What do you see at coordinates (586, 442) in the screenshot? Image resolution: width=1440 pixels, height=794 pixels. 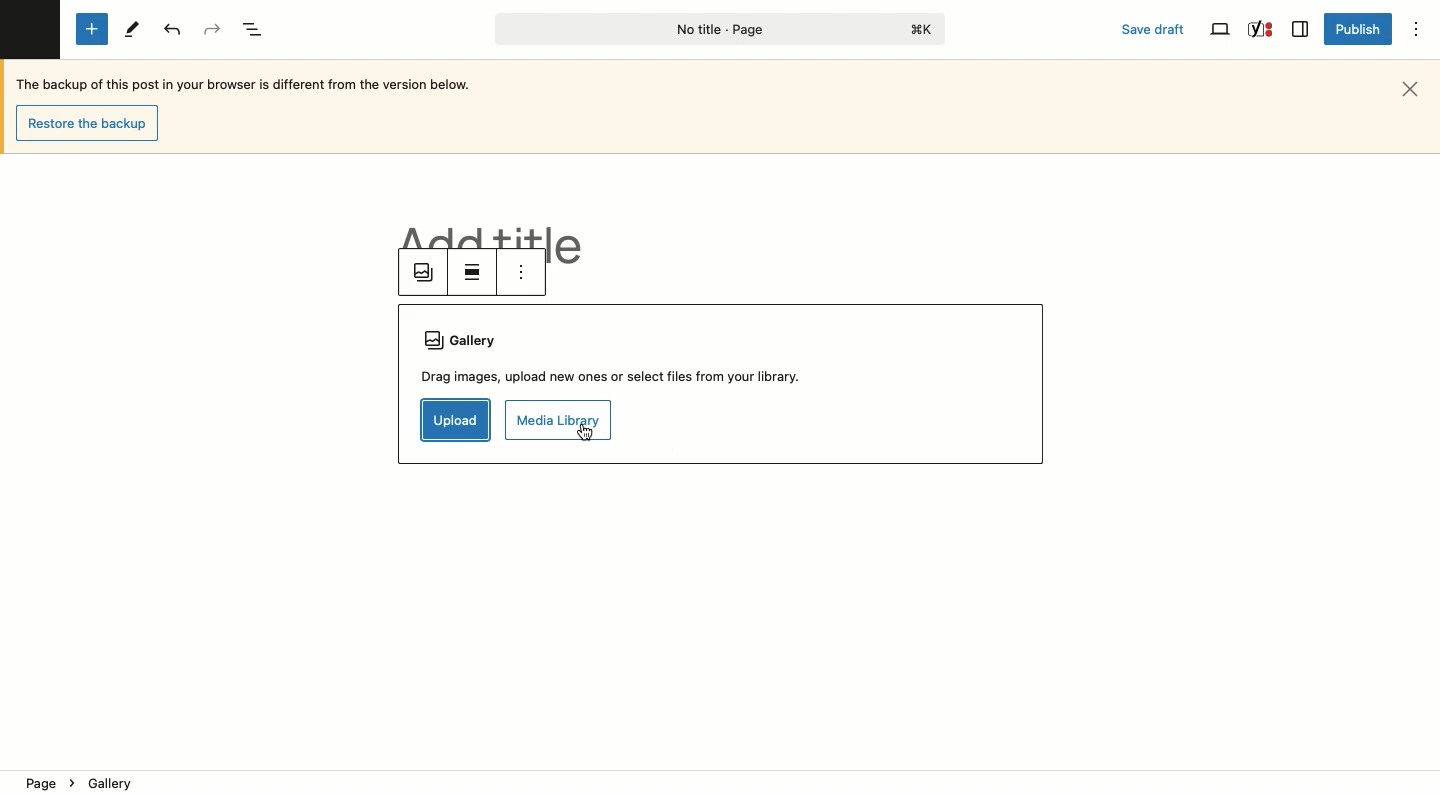 I see `Cursor` at bounding box center [586, 442].